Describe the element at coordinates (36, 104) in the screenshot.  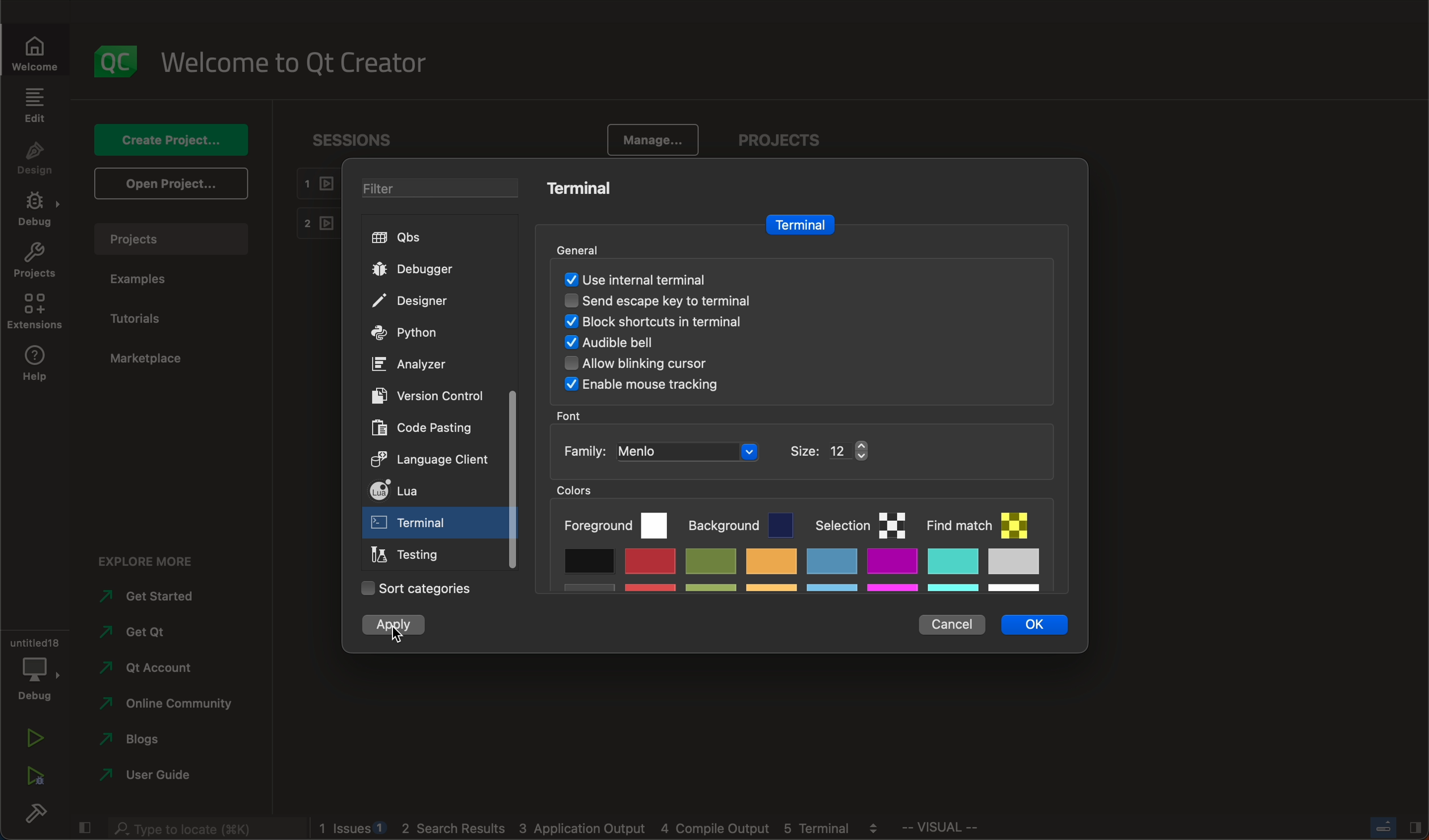
I see `edit` at that location.